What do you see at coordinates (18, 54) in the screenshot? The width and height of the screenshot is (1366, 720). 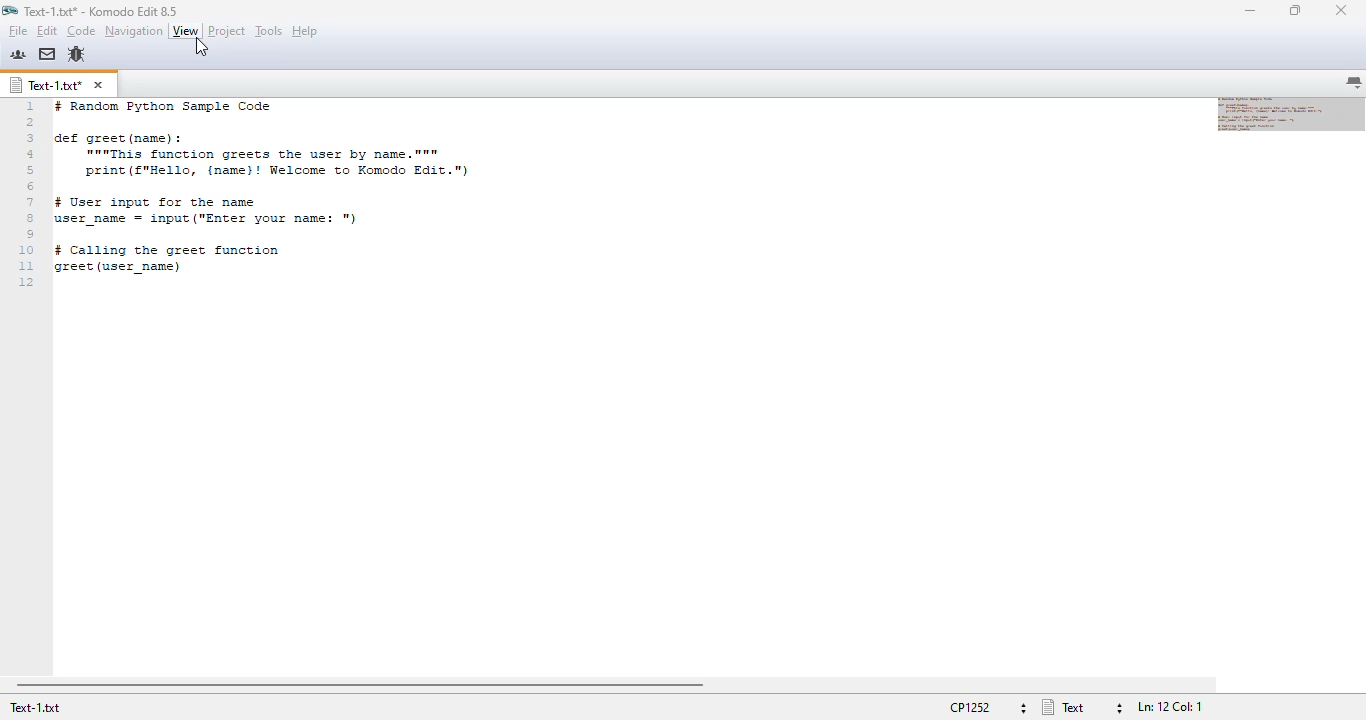 I see `komodo community` at bounding box center [18, 54].